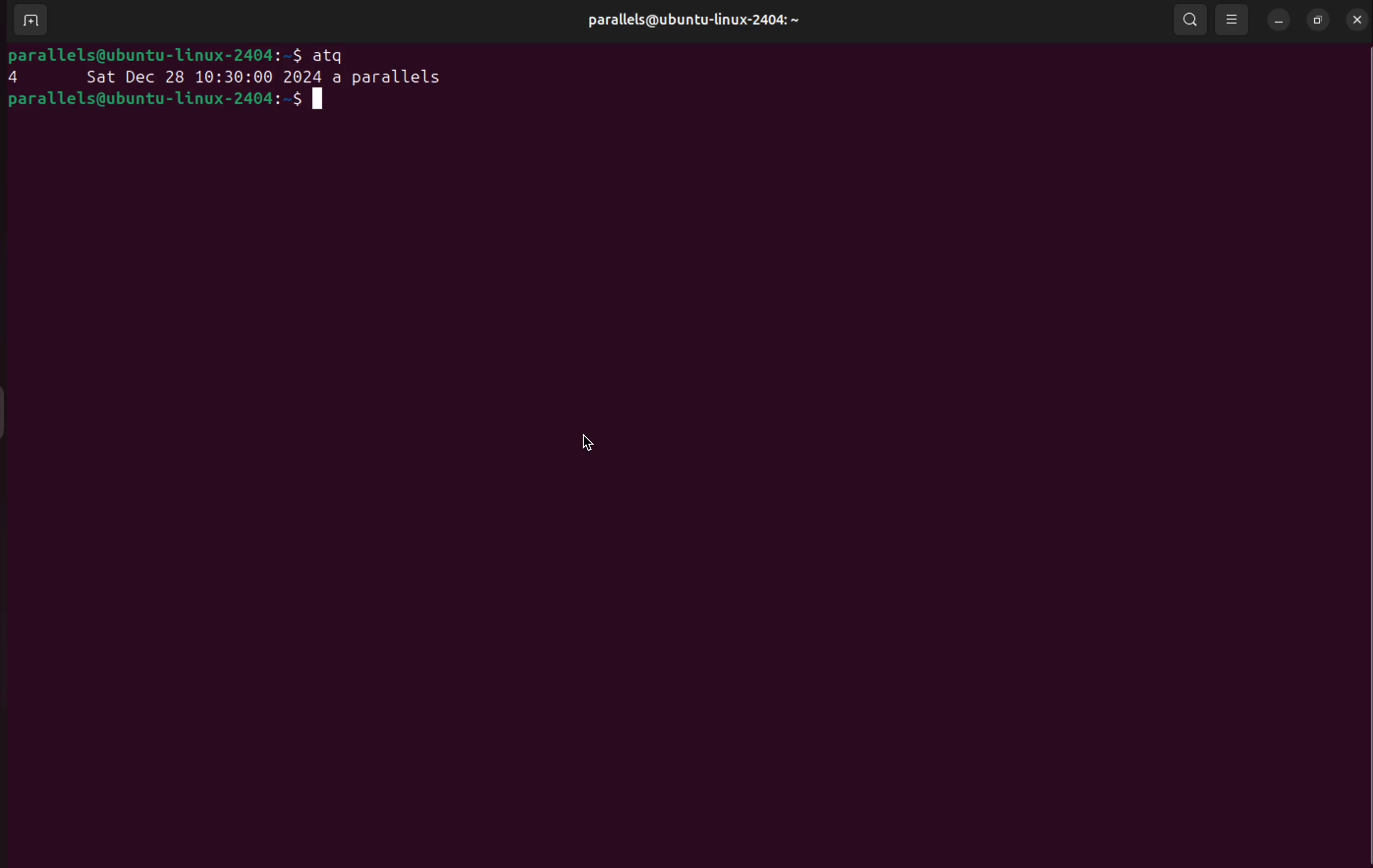 Image resolution: width=1373 pixels, height=868 pixels. I want to click on view option, so click(1235, 21).